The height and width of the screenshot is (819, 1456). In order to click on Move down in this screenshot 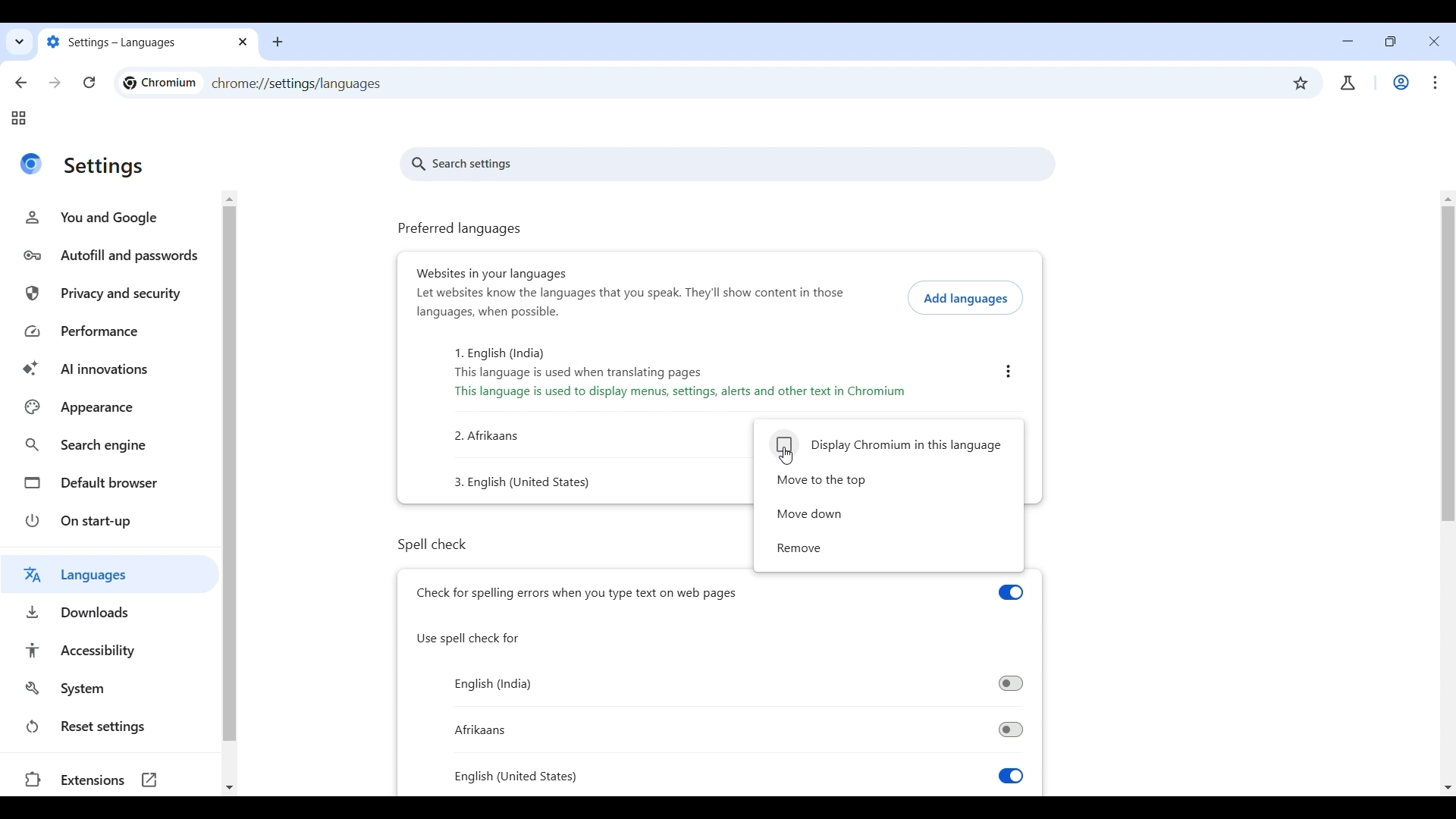, I will do `click(890, 514)`.